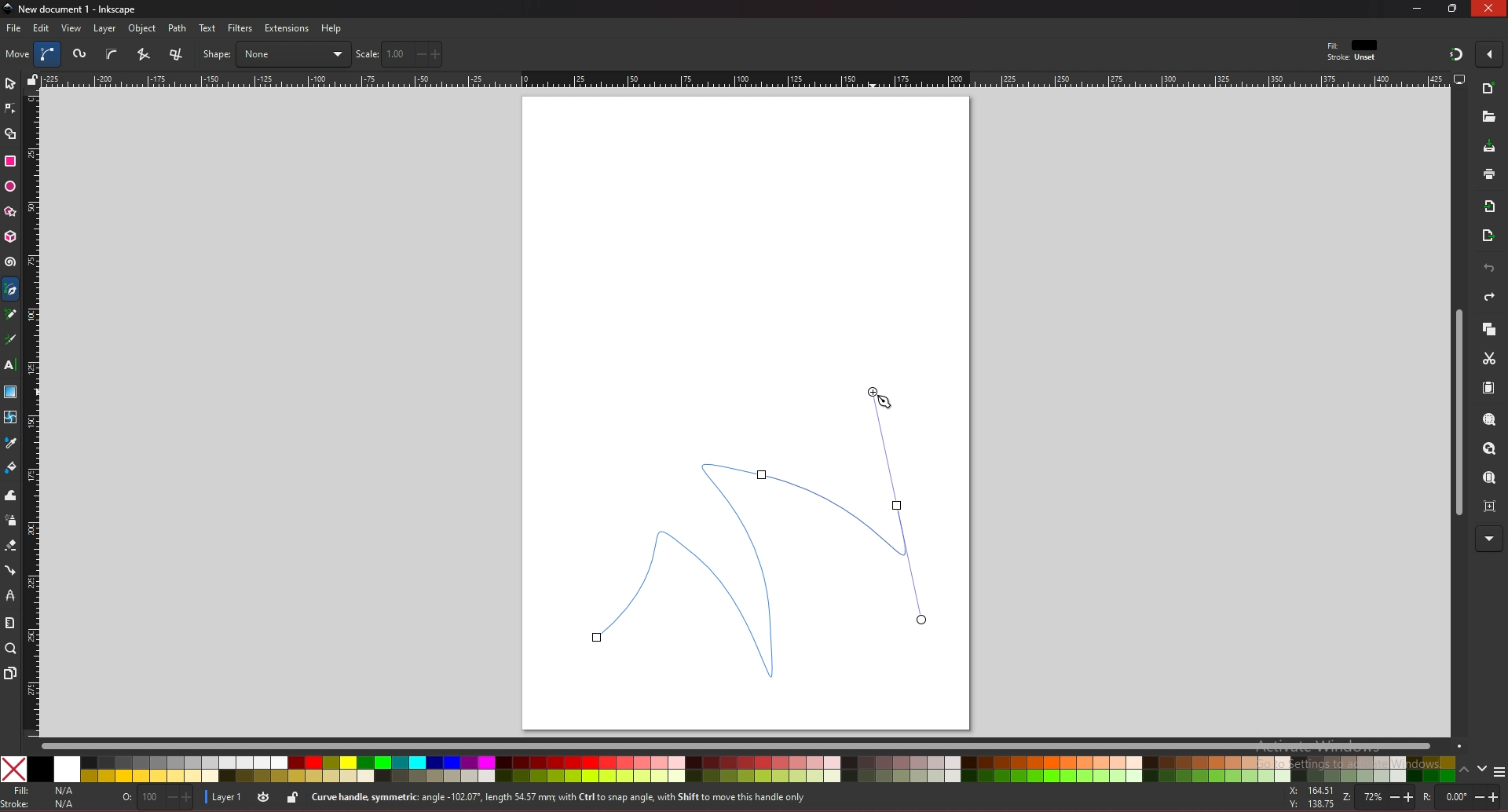  I want to click on move, so click(18, 53).